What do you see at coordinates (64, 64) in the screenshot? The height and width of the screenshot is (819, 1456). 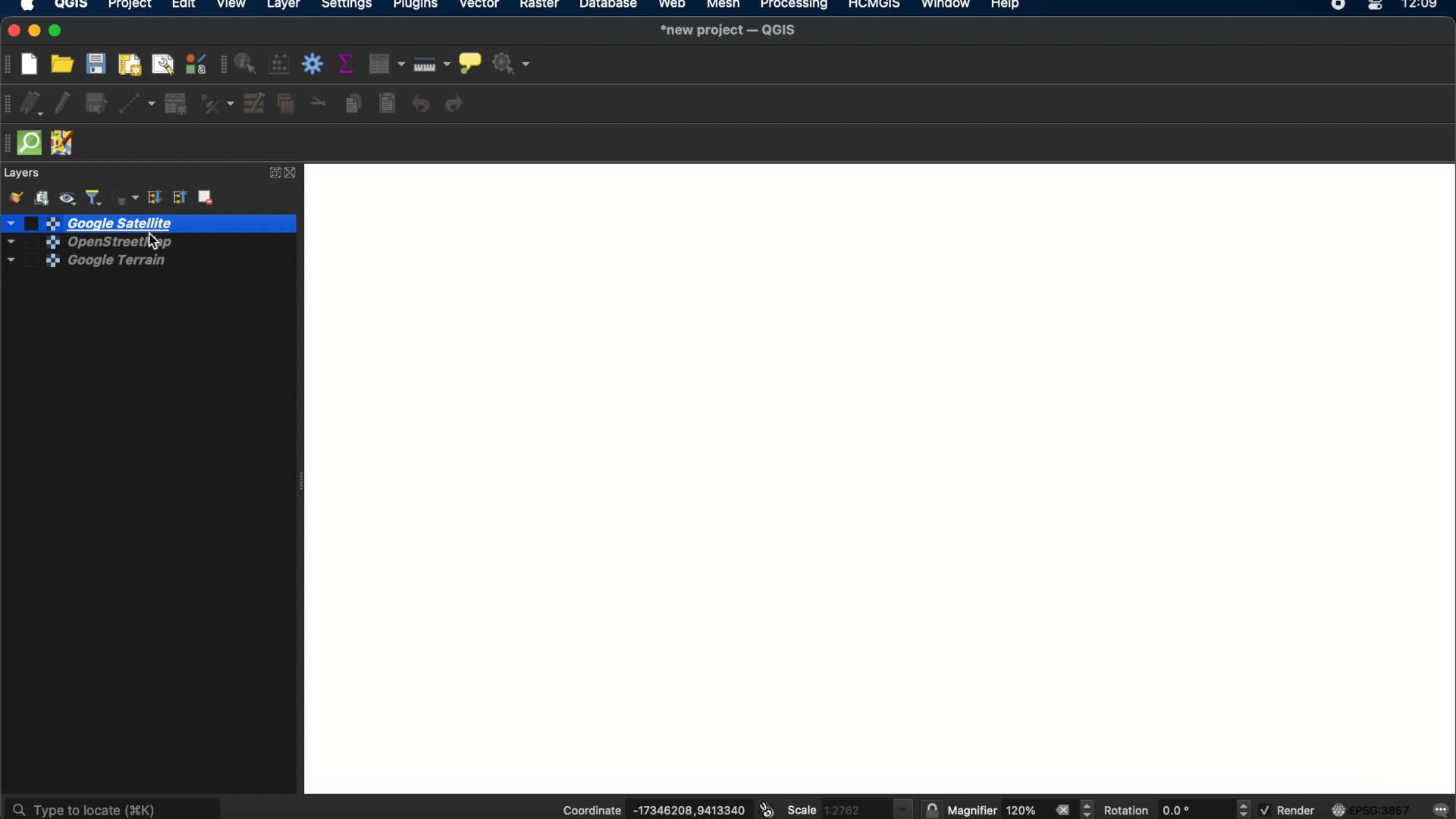 I see `open project` at bounding box center [64, 64].